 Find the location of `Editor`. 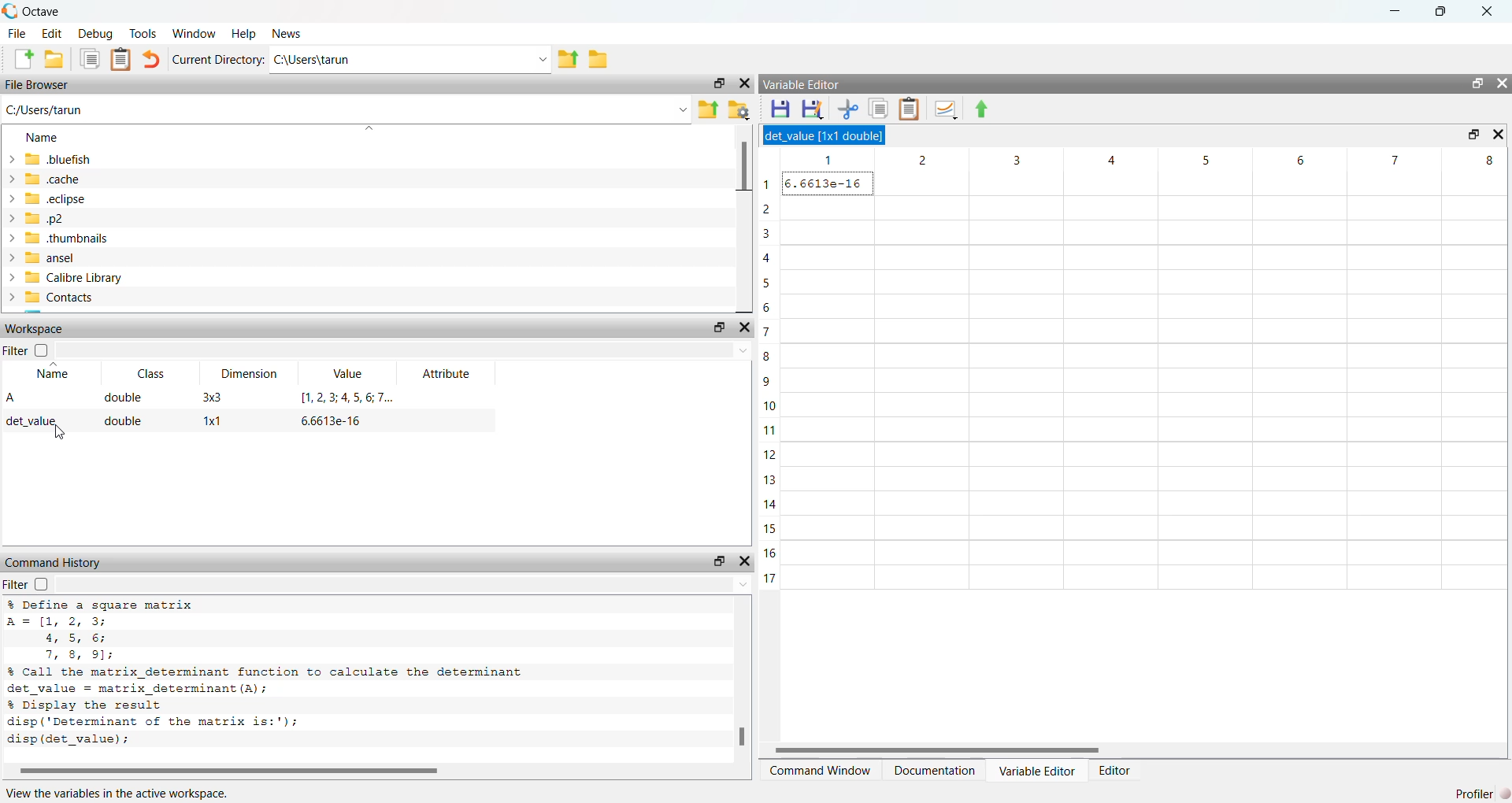

Editor is located at coordinates (1117, 770).